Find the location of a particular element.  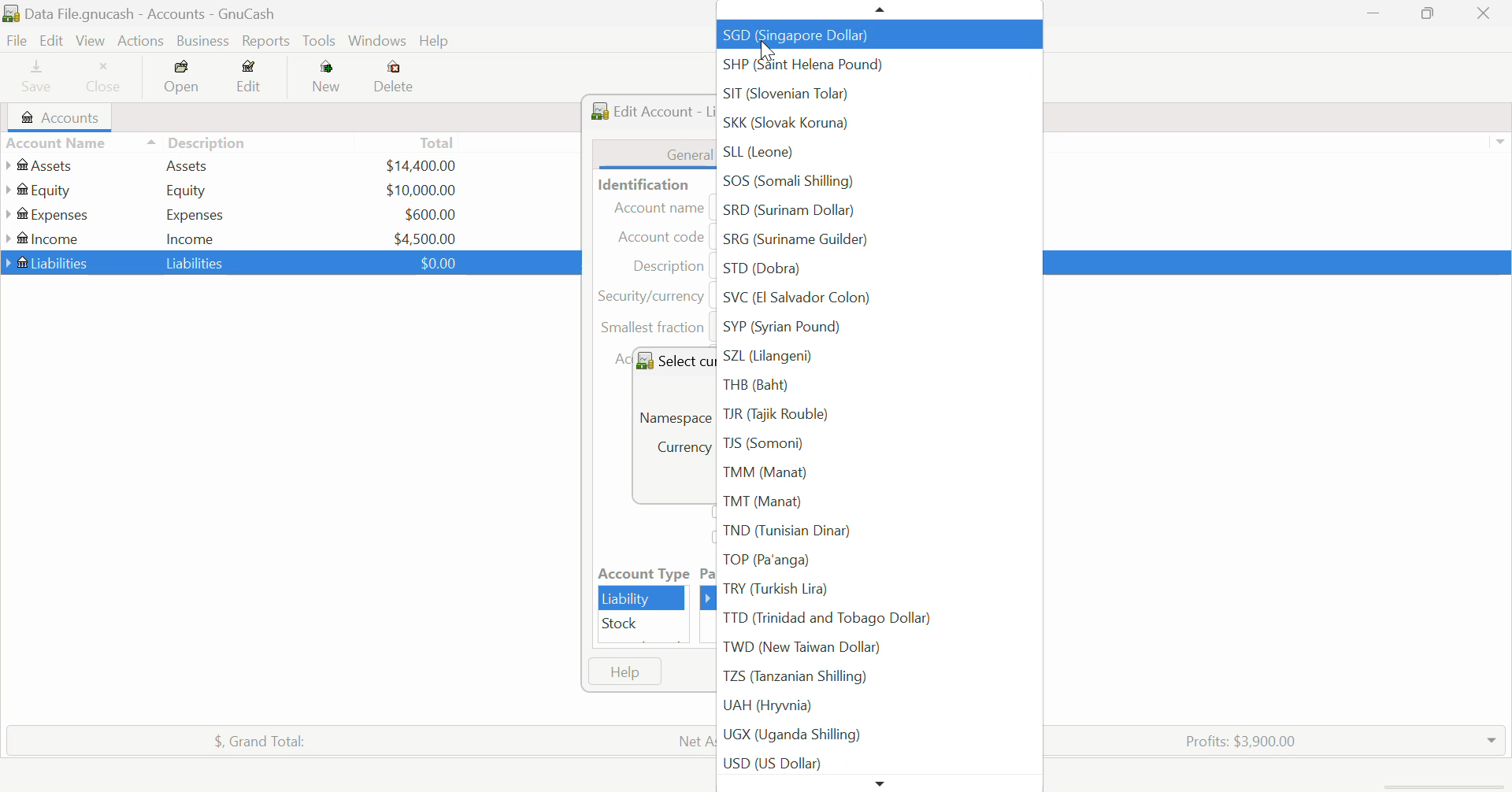

Assets Account is located at coordinates (42, 165).